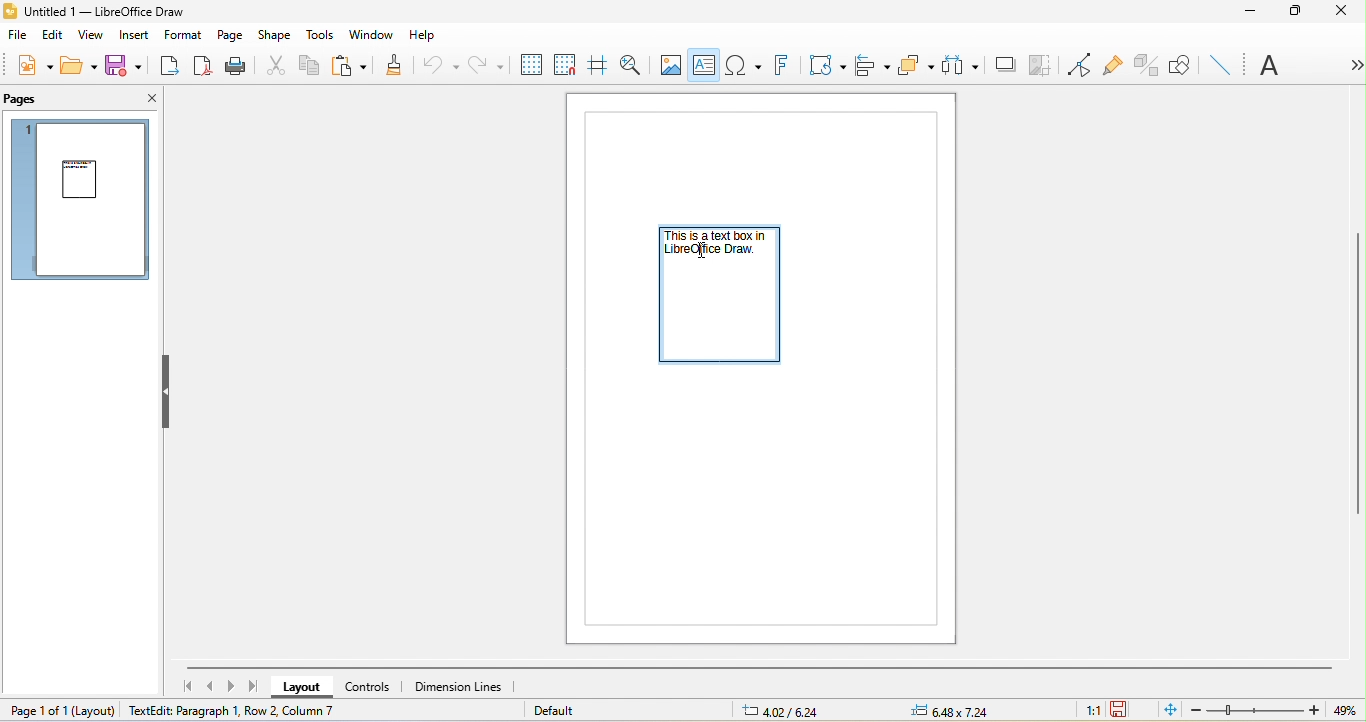 The width and height of the screenshot is (1366, 722). What do you see at coordinates (1226, 66) in the screenshot?
I see `insert line` at bounding box center [1226, 66].